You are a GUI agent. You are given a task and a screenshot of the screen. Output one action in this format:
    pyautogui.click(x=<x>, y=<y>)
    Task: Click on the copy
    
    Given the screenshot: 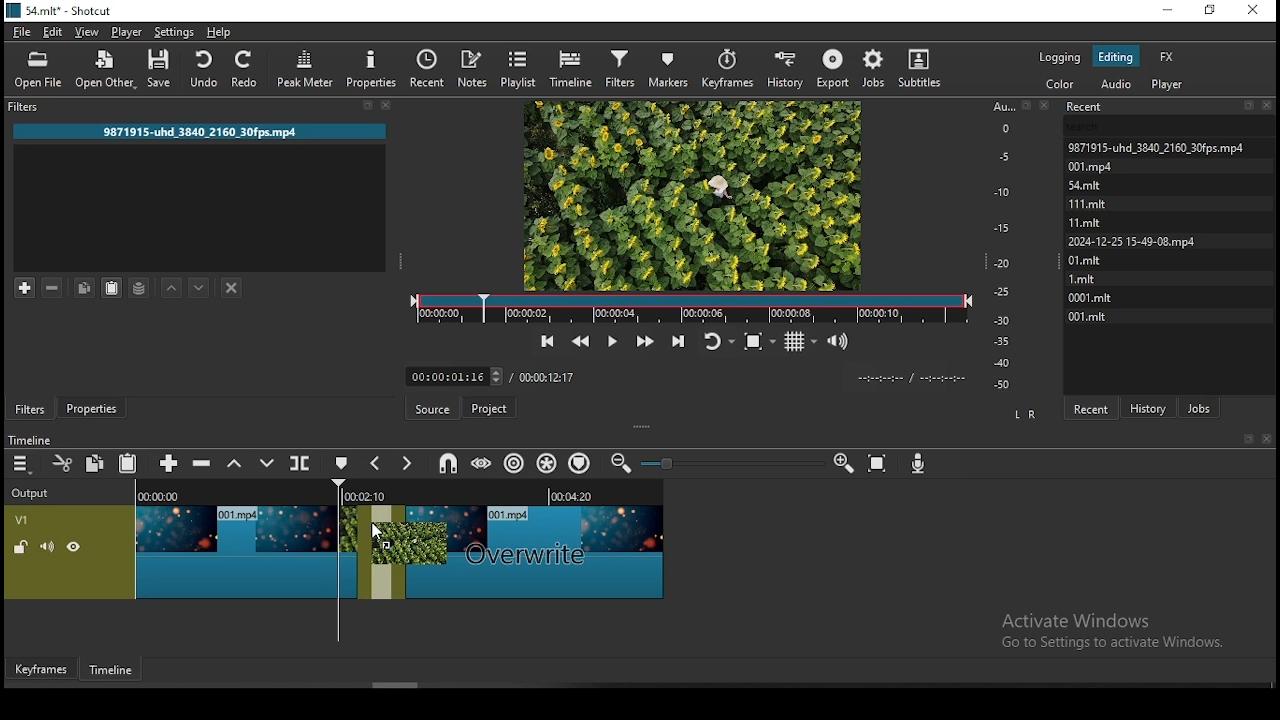 What is the action you would take?
    pyautogui.click(x=84, y=288)
    